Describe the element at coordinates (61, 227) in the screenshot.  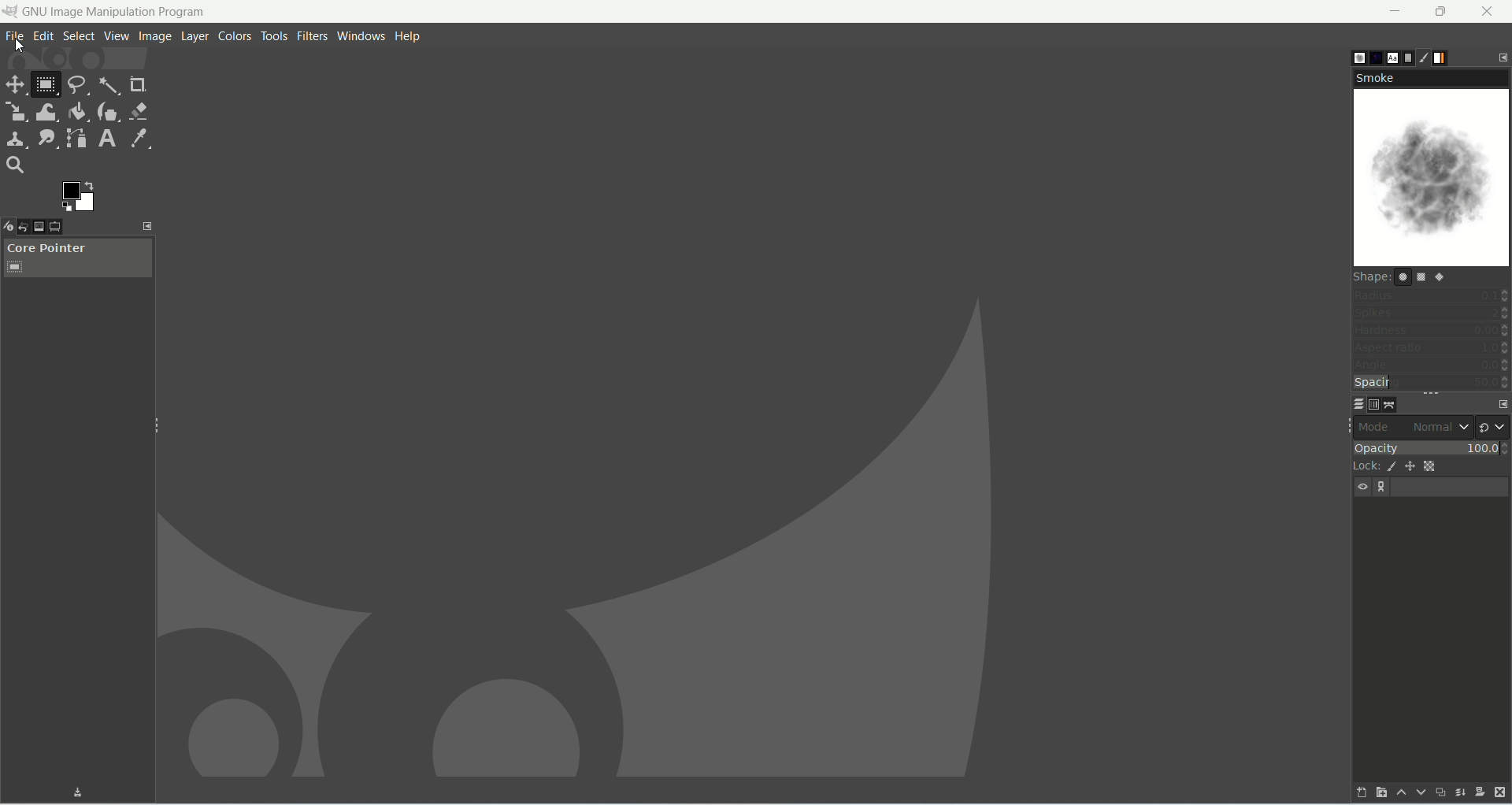
I see `` at that location.